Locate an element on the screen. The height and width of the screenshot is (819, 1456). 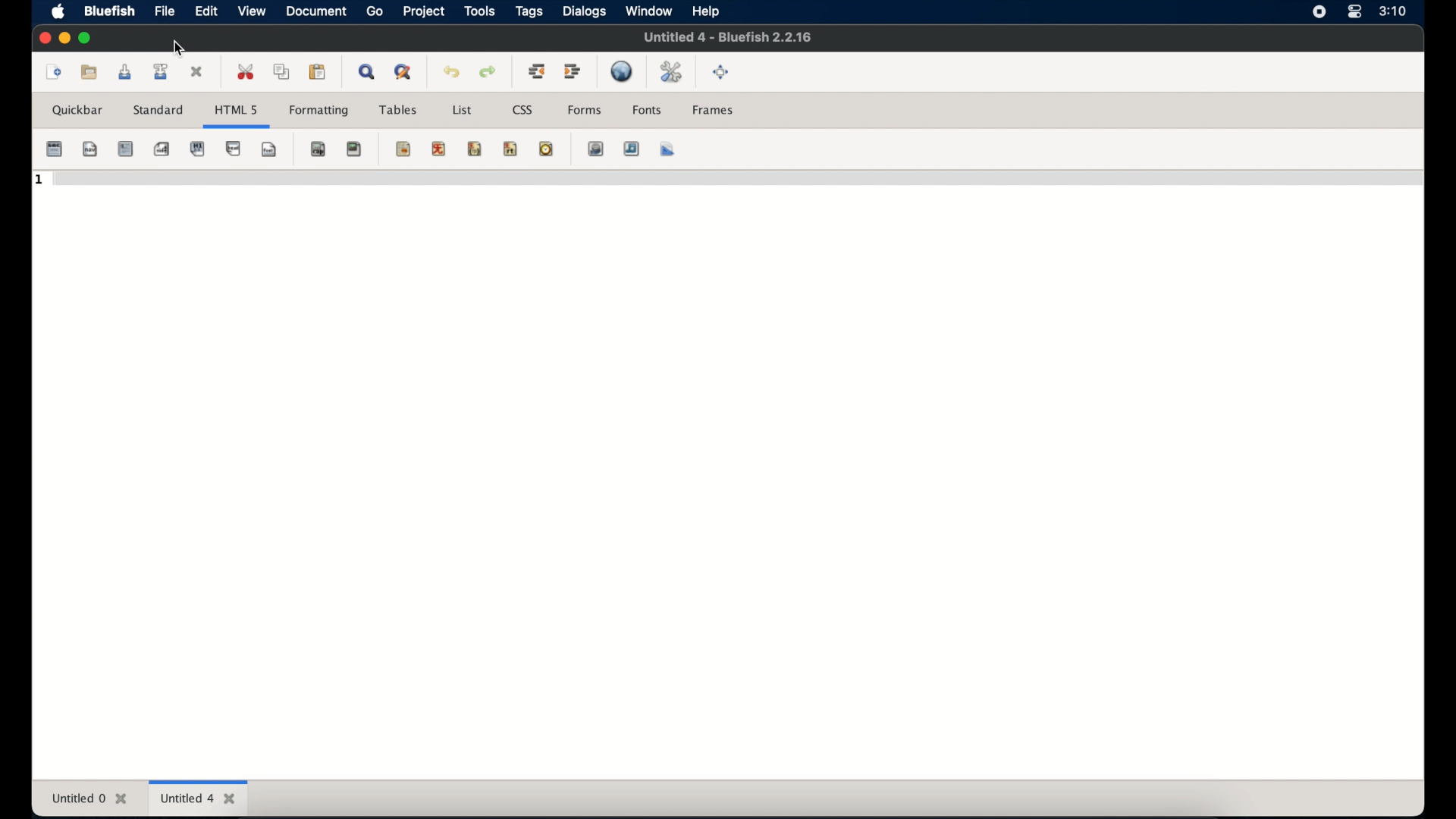
horizontal rule is located at coordinates (403, 149).